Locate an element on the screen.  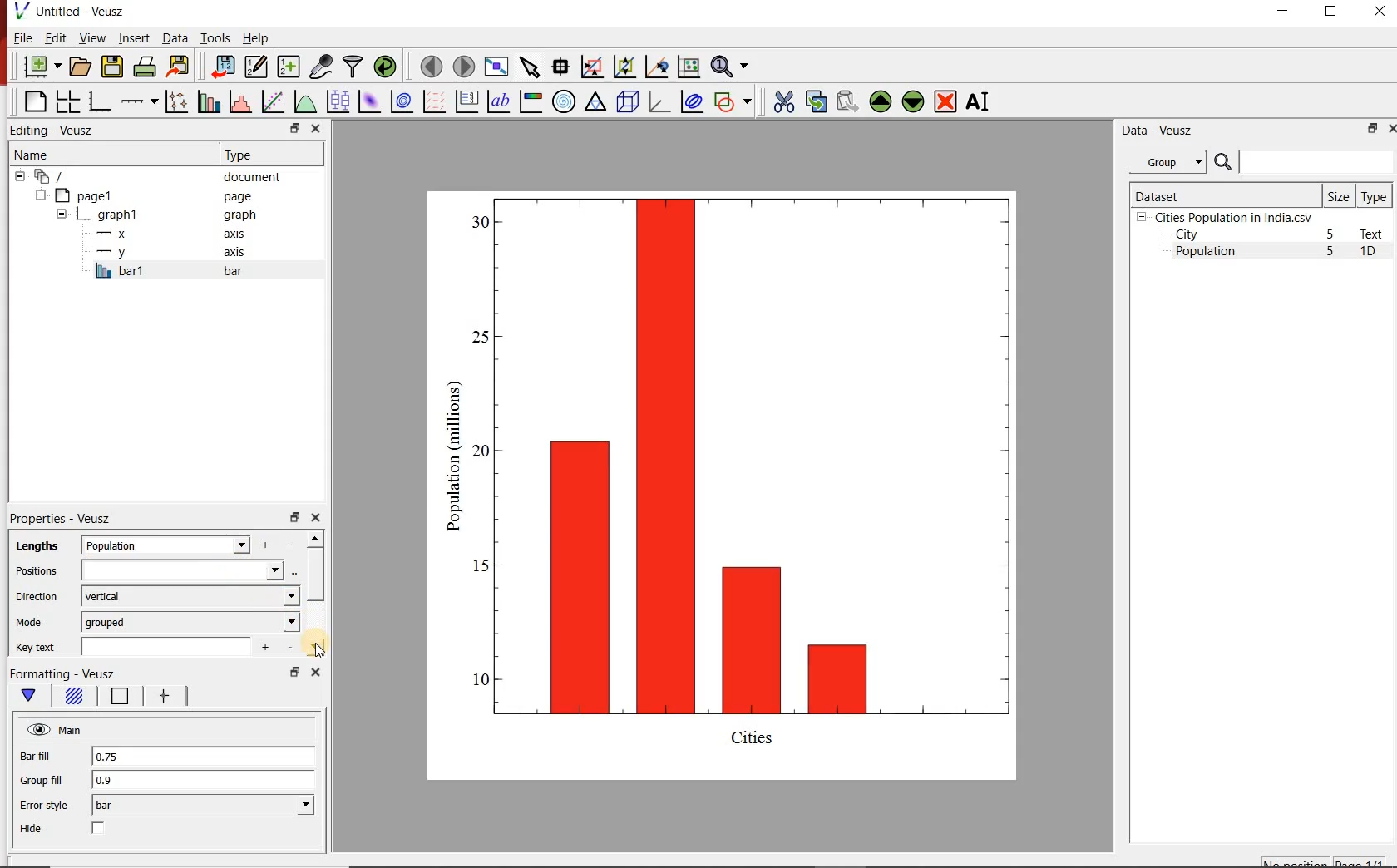
Help is located at coordinates (257, 37).